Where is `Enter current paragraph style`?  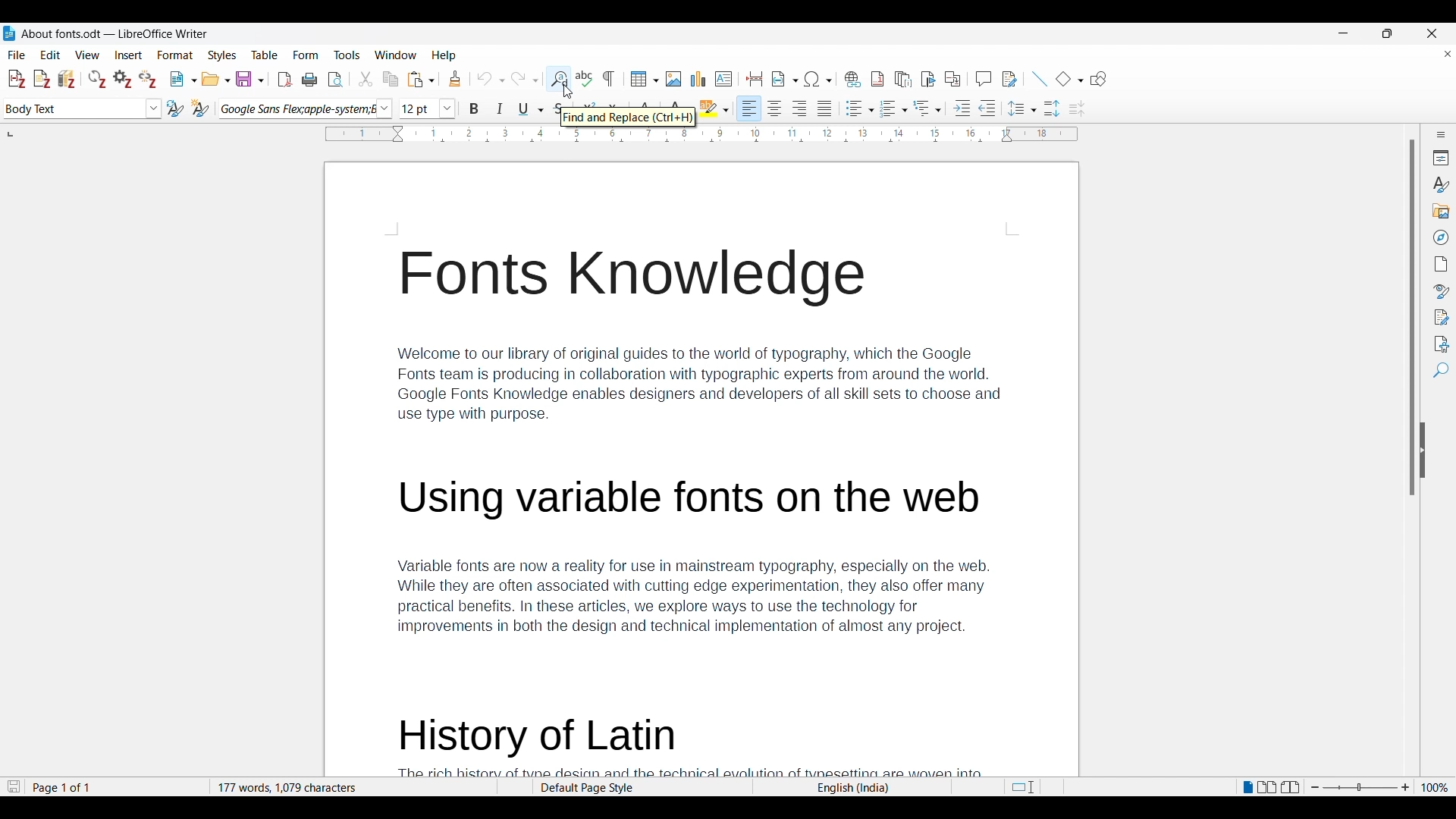
Enter current paragraph style is located at coordinates (73, 108).